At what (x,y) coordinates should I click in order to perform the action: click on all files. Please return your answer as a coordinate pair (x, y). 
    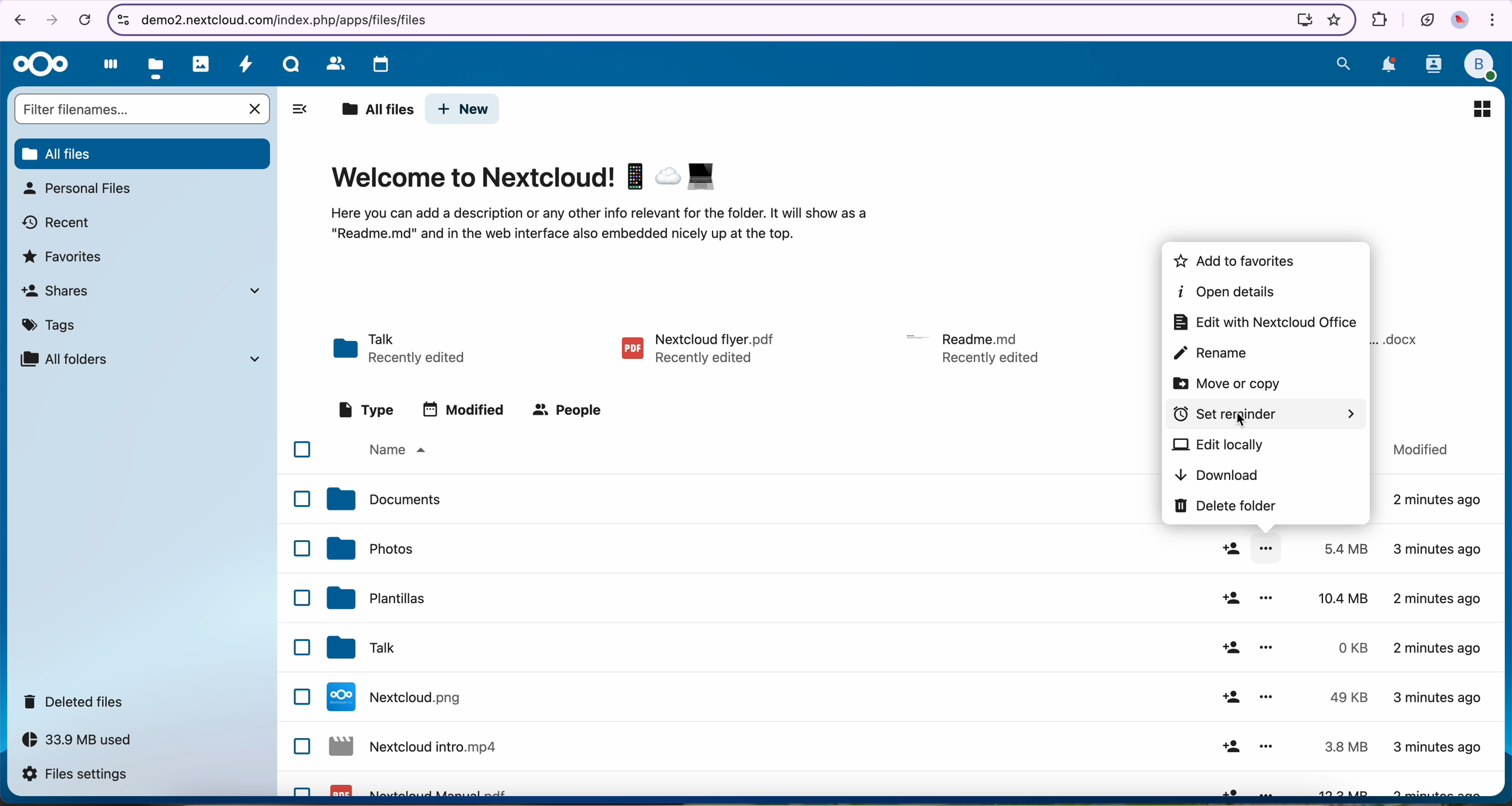
    Looking at the image, I should click on (374, 109).